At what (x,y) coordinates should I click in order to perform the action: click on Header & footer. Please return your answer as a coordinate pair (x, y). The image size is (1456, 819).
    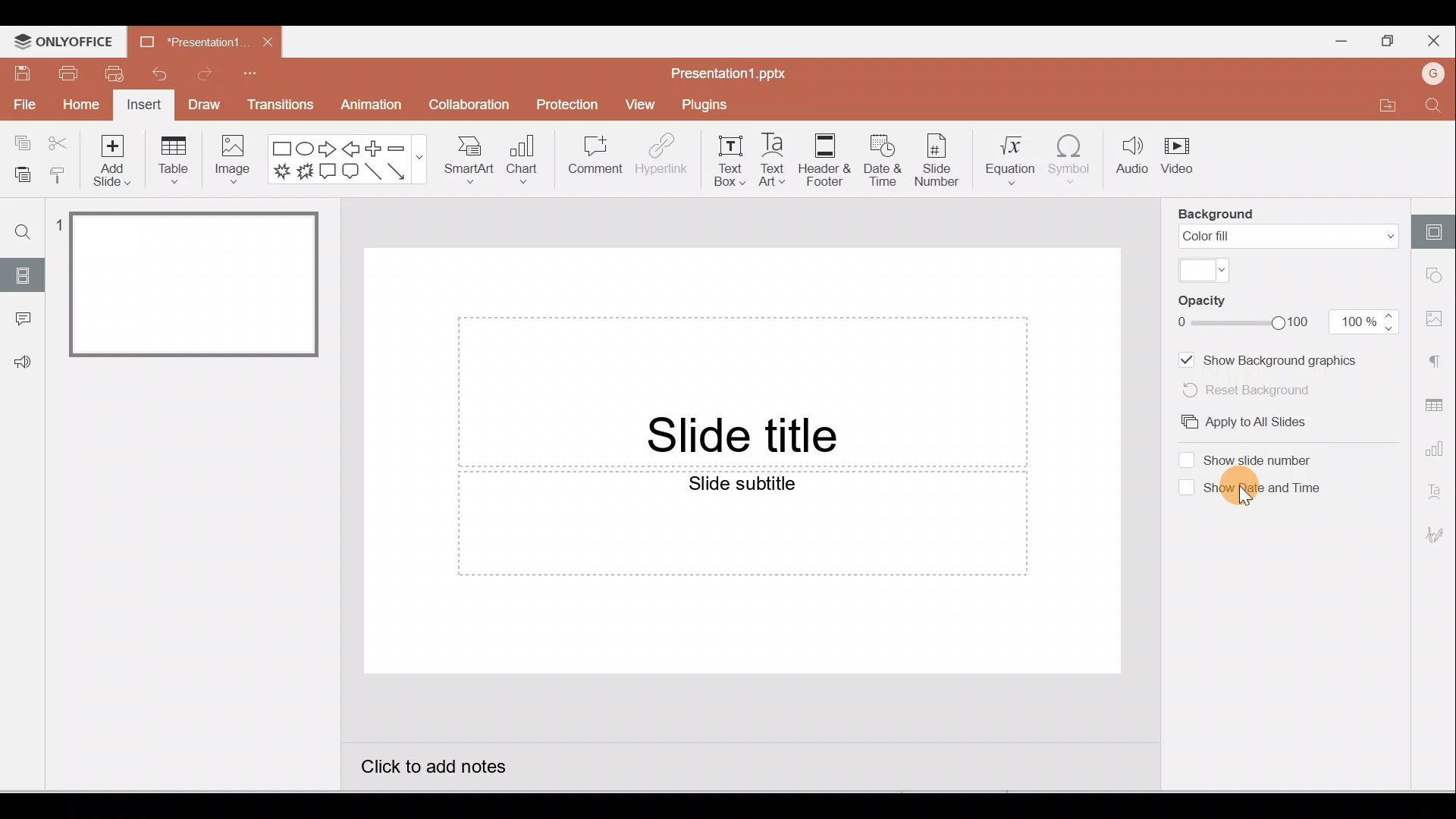
    Looking at the image, I should click on (824, 161).